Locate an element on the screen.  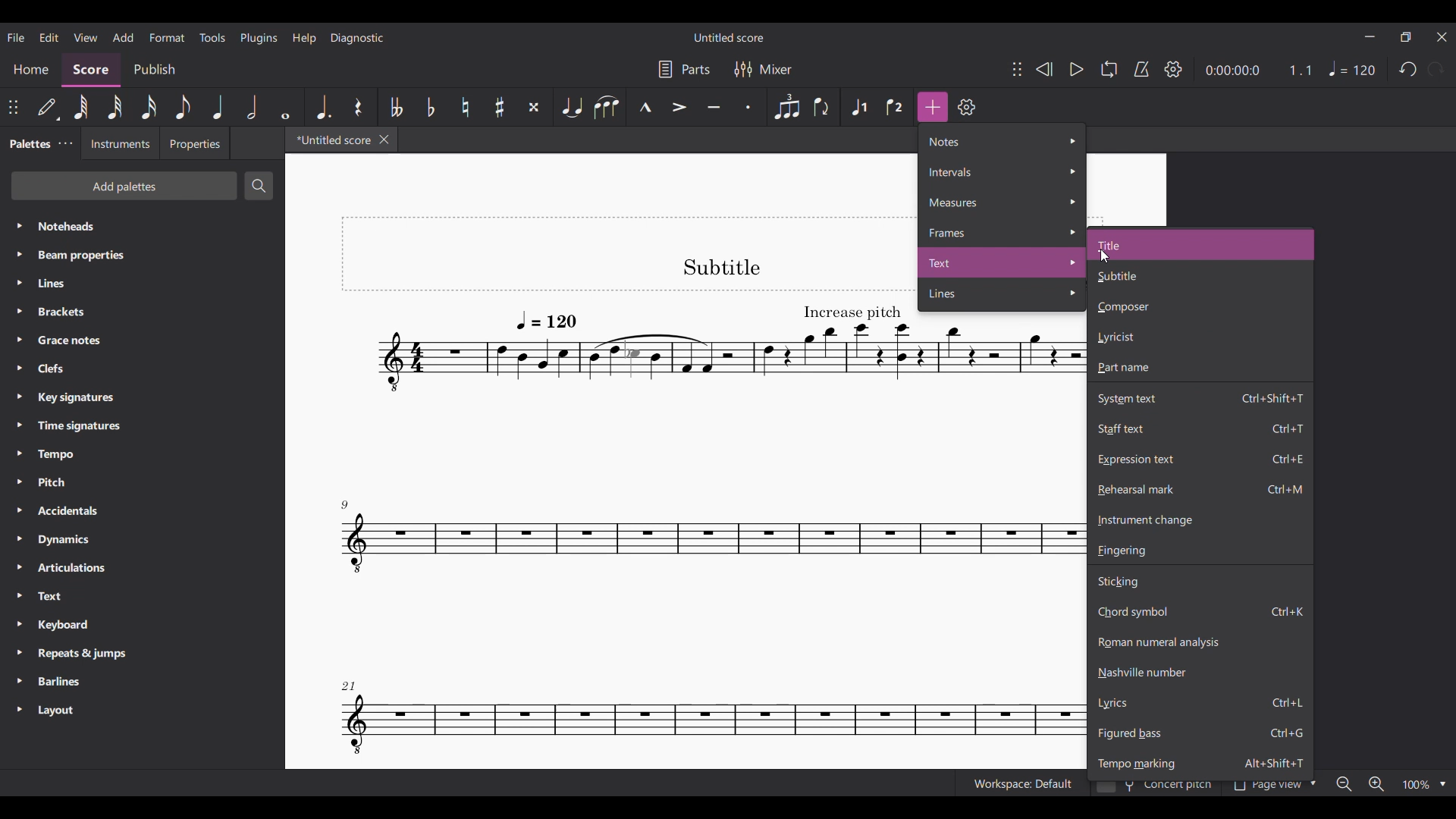
Sticking is located at coordinates (1200, 580).